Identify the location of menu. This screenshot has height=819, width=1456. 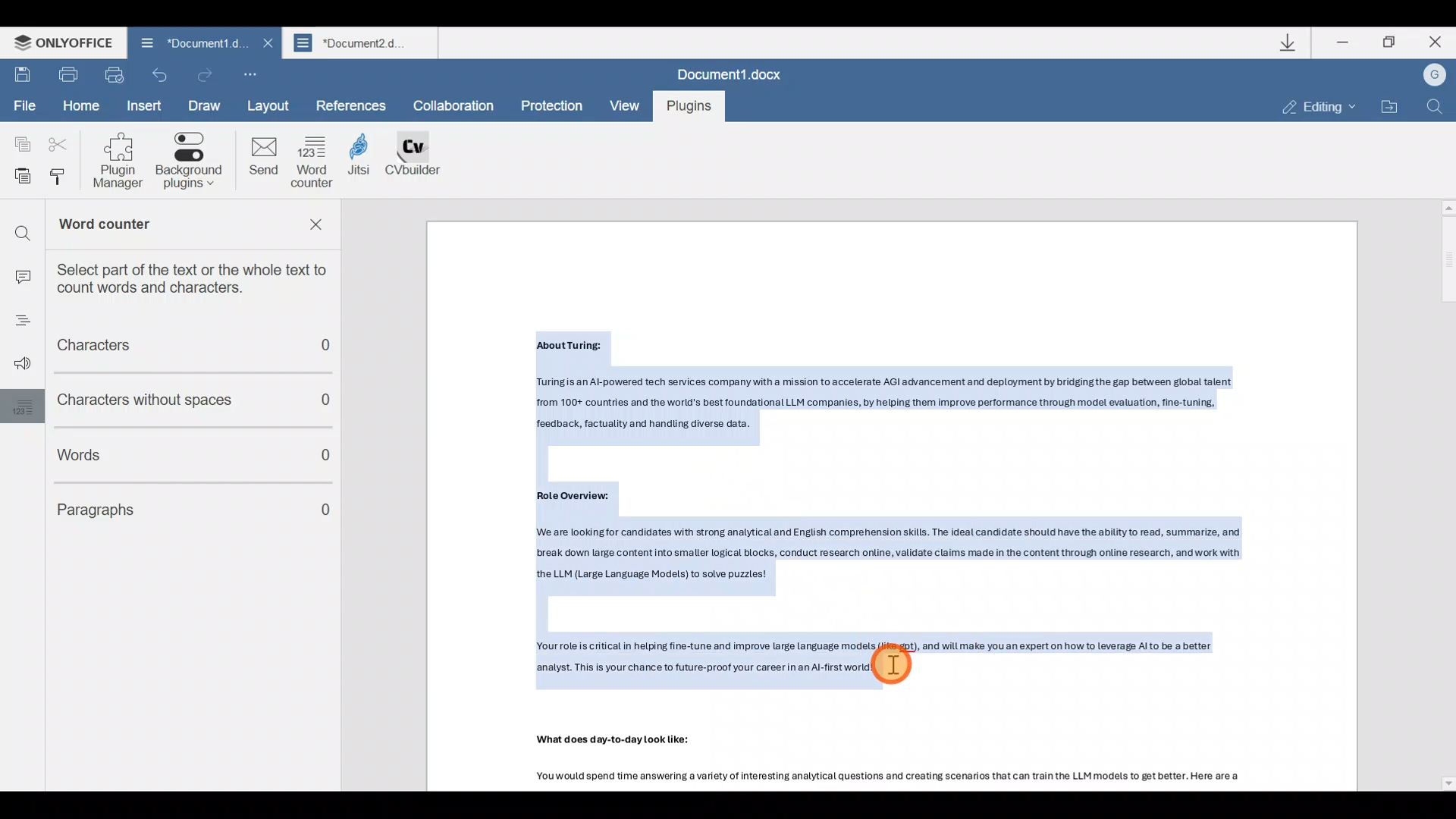
(17, 324).